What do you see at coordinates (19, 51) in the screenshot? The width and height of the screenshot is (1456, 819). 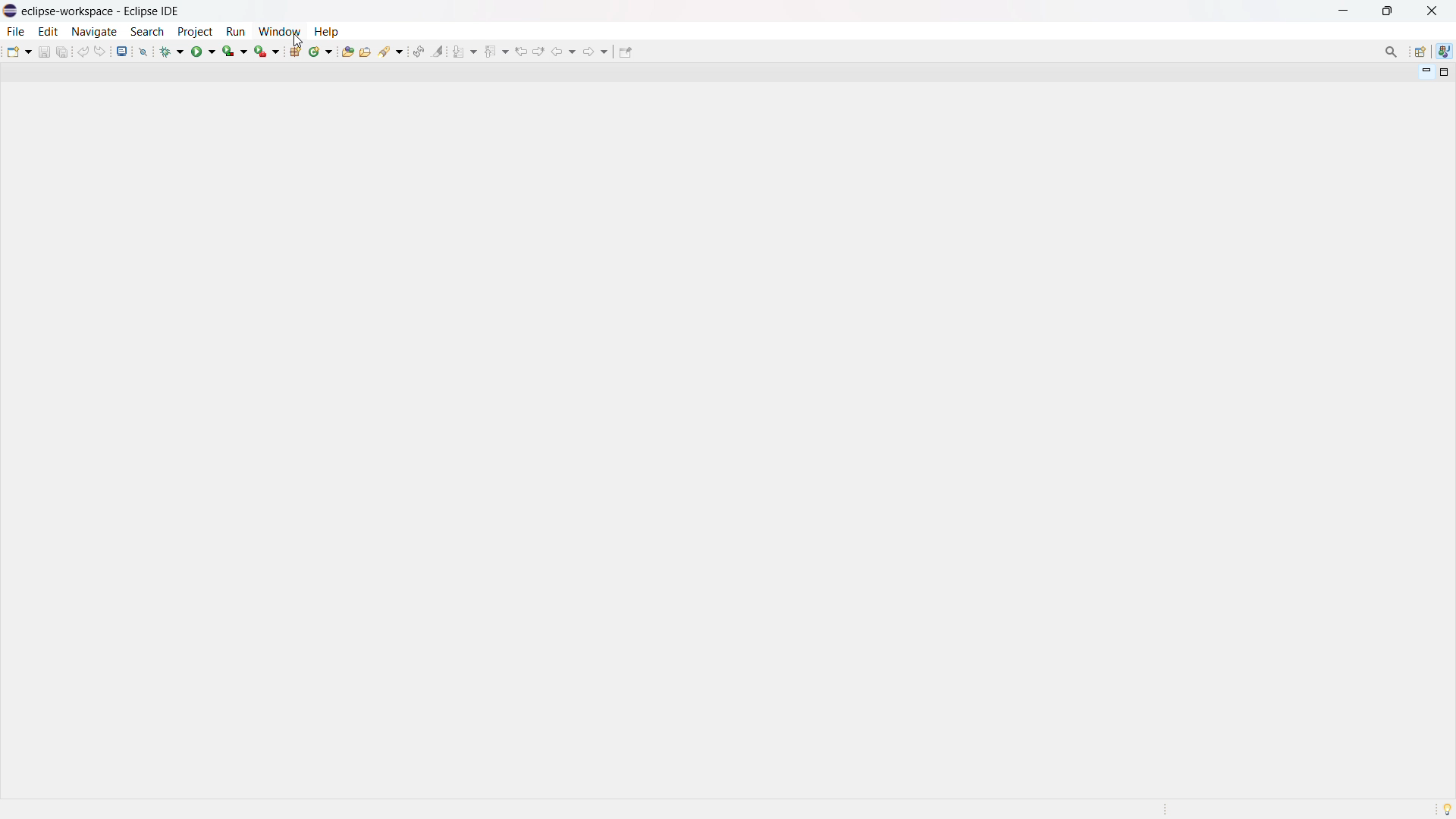 I see `new` at bounding box center [19, 51].